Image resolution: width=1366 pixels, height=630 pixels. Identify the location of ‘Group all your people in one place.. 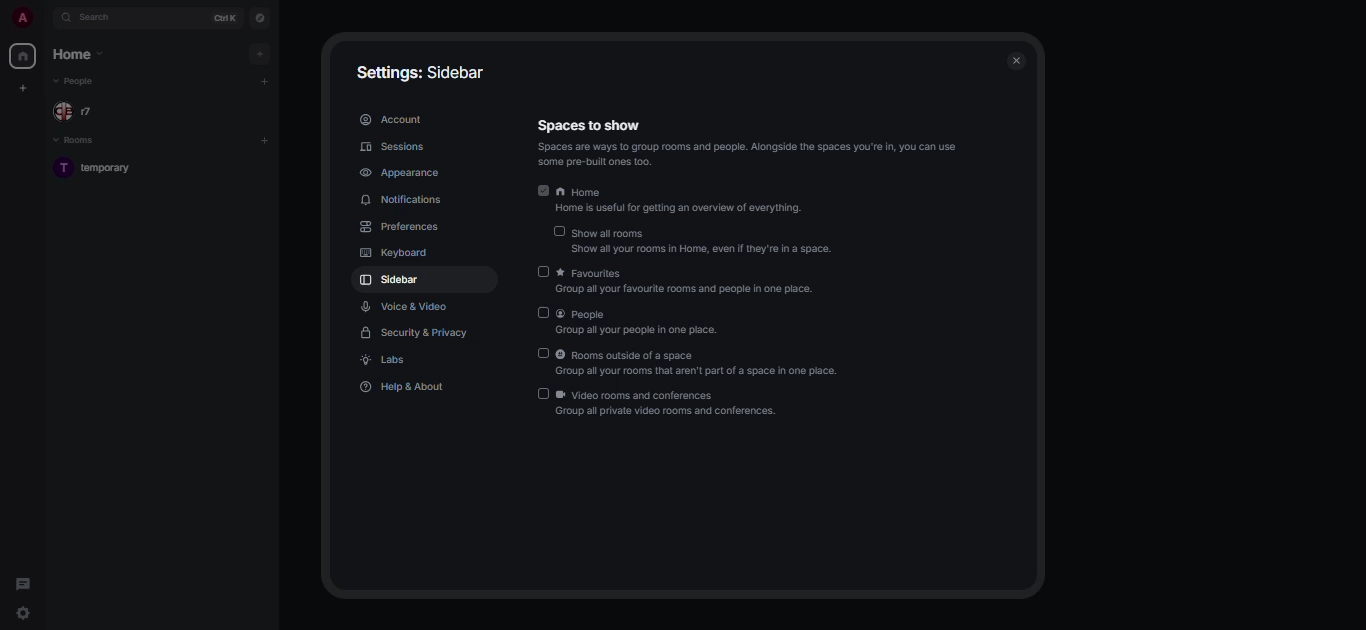
(635, 330).